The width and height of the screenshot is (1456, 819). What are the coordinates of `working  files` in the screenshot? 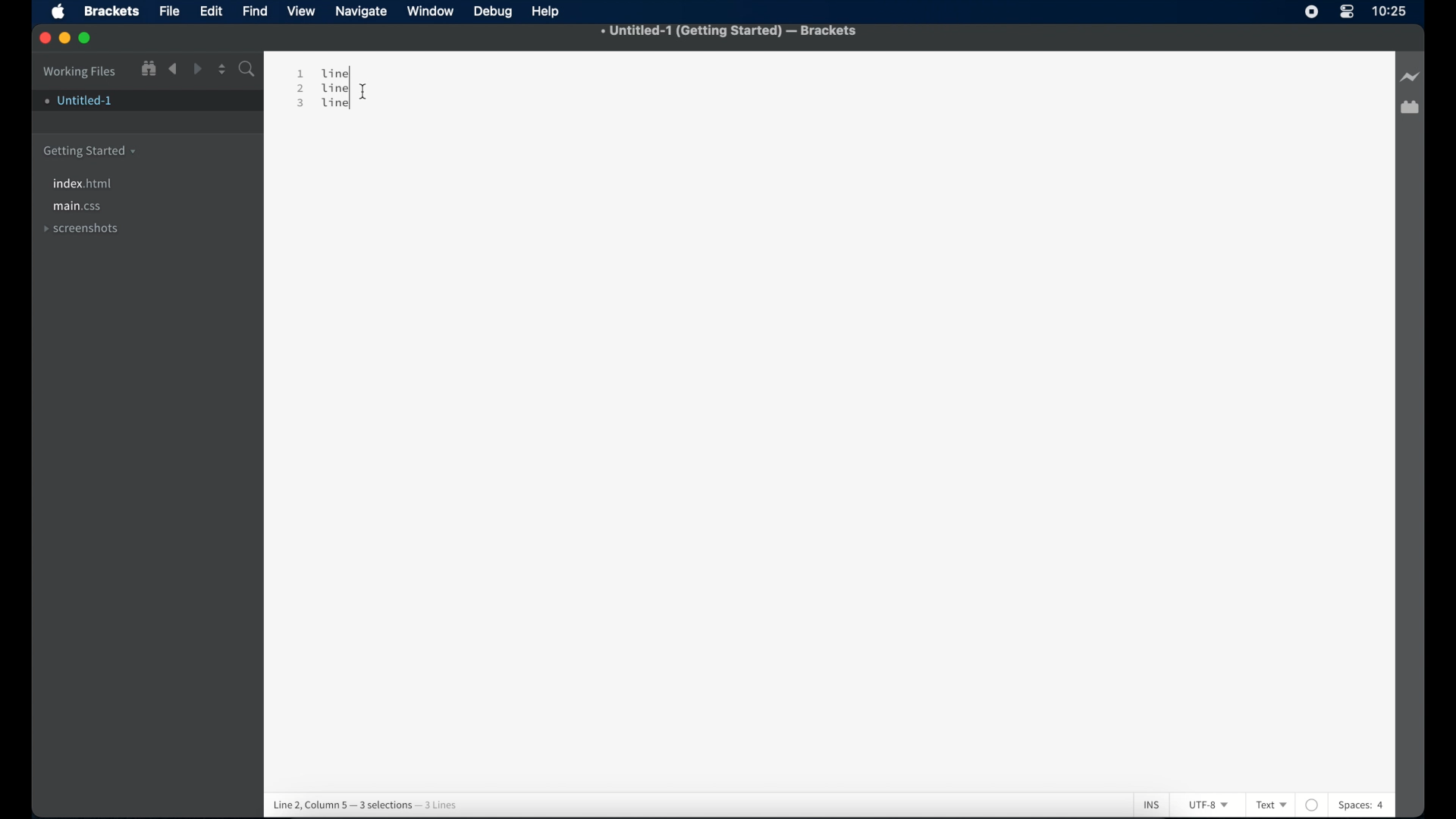 It's located at (80, 72).